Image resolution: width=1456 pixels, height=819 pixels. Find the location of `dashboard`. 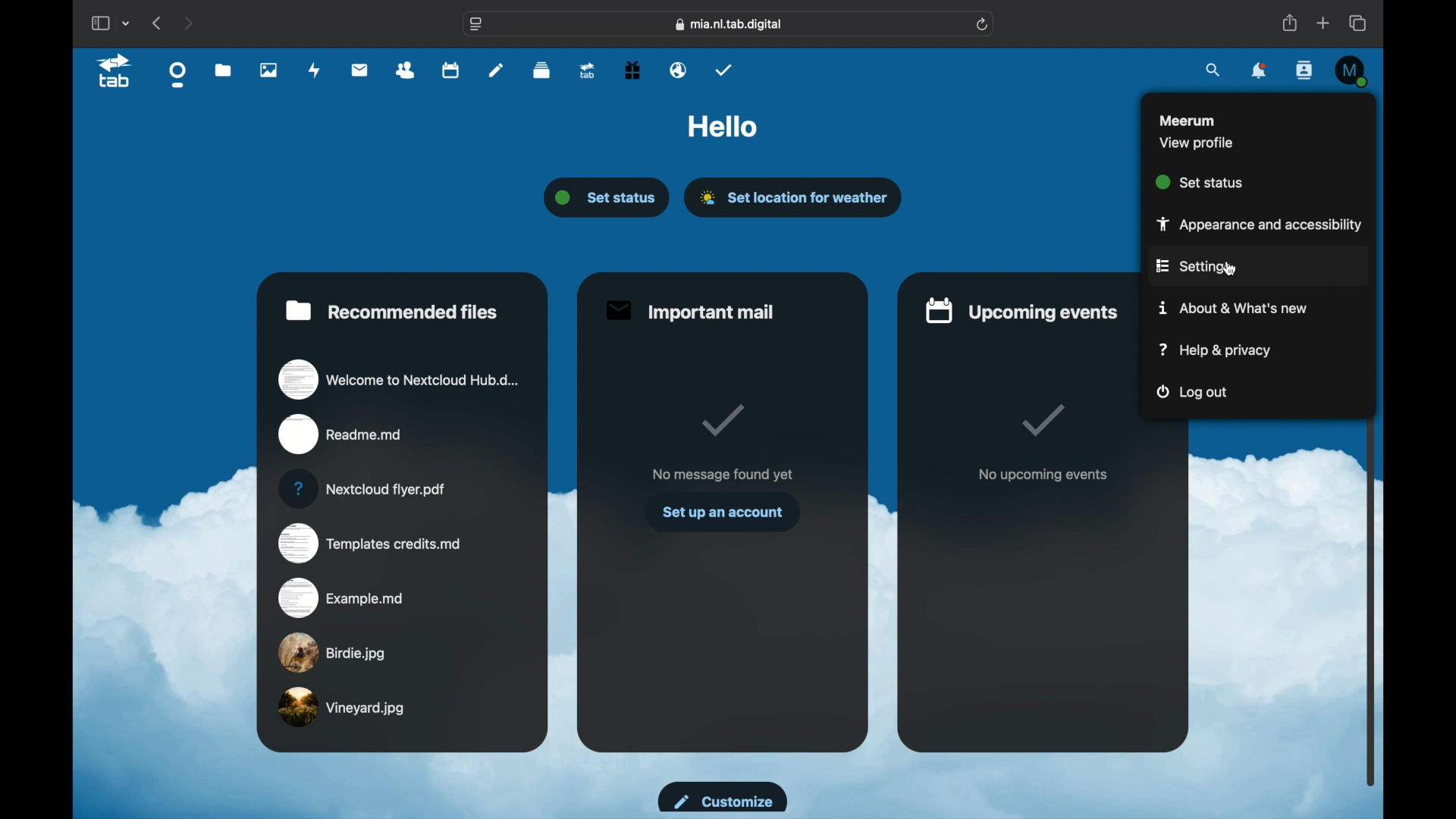

dashboard is located at coordinates (178, 74).